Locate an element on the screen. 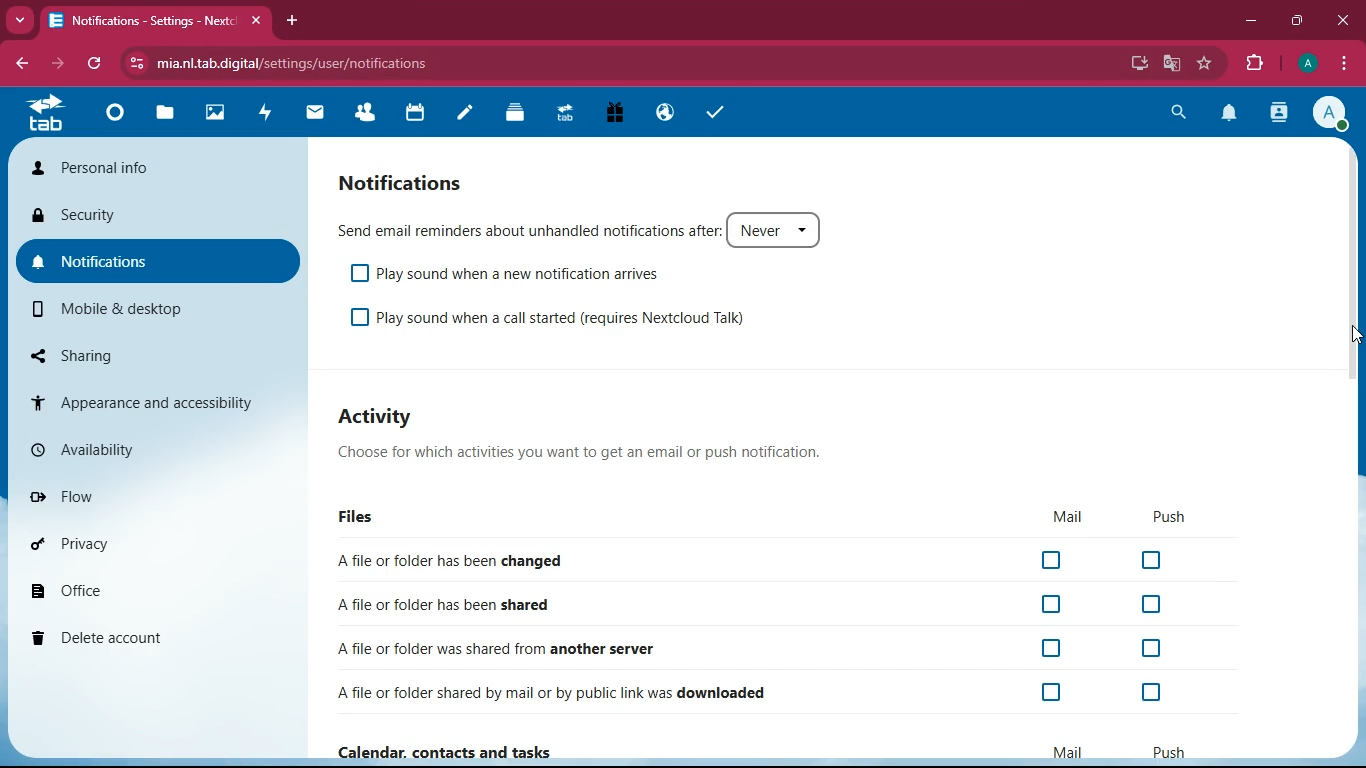 Image resolution: width=1366 pixels, height=768 pixels. files is located at coordinates (164, 117).